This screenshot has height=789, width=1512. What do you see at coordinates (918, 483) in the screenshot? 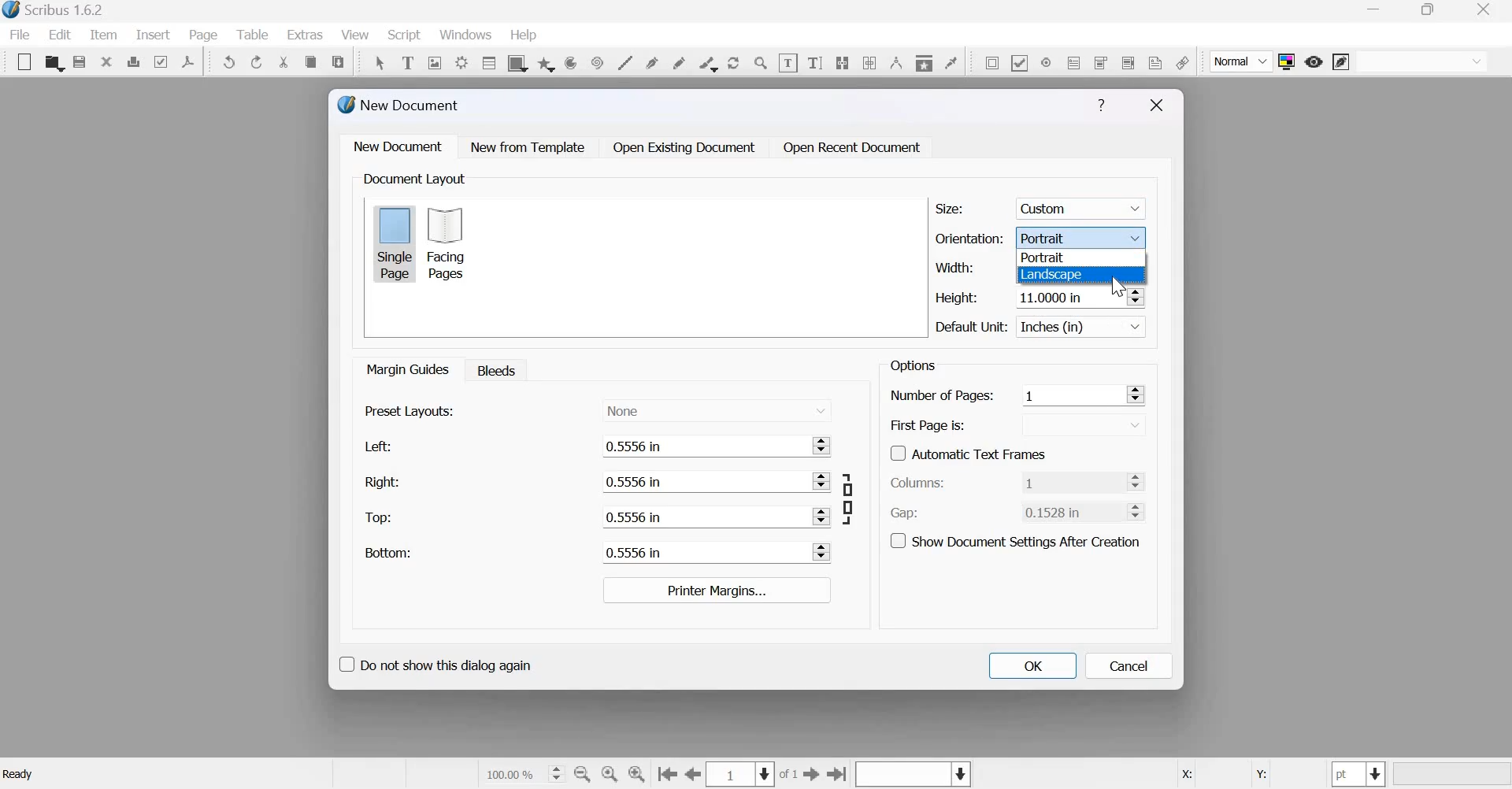
I see `Columns:` at bounding box center [918, 483].